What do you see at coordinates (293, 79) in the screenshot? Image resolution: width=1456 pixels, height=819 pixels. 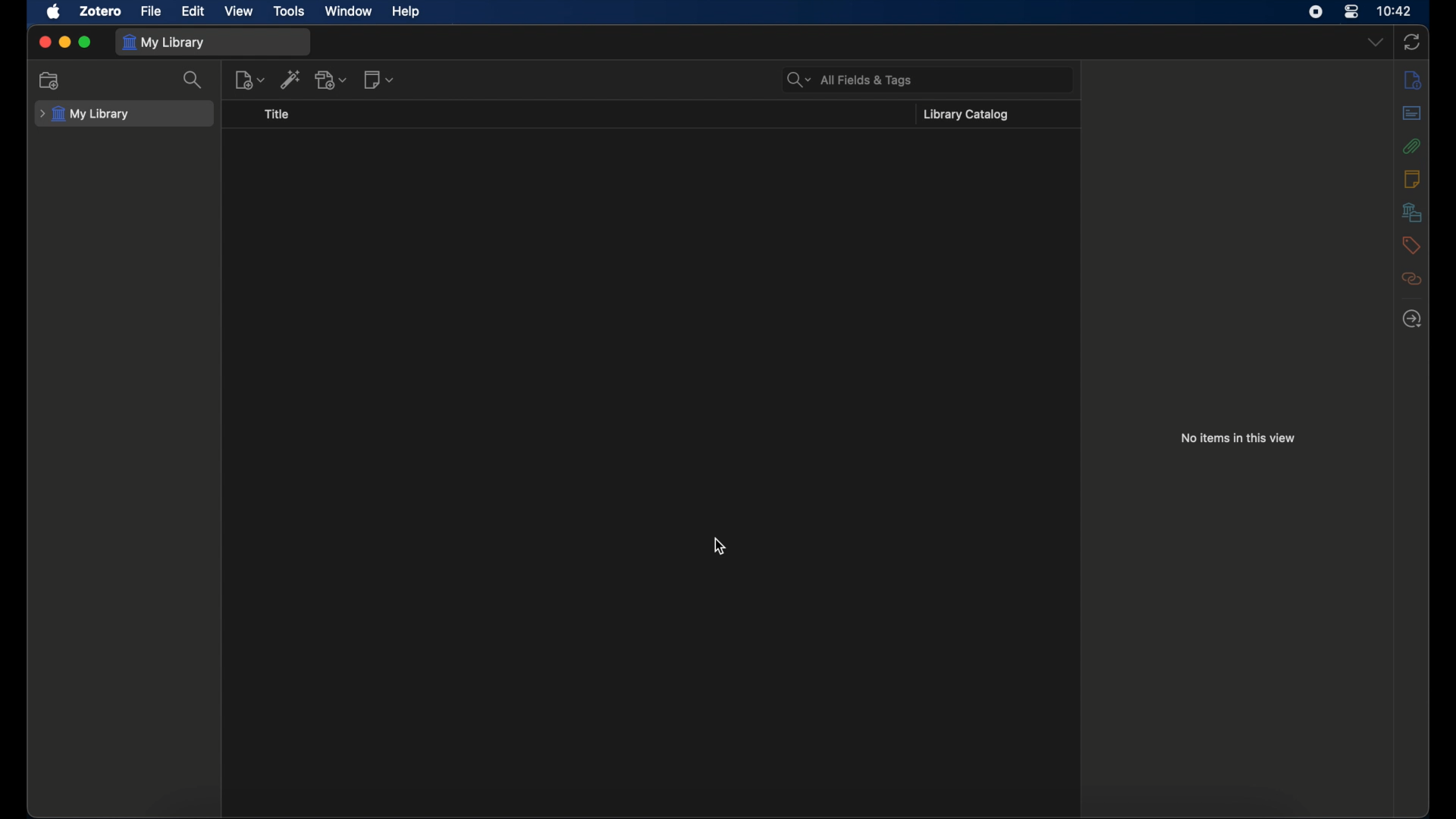 I see `add item by identifier` at bounding box center [293, 79].